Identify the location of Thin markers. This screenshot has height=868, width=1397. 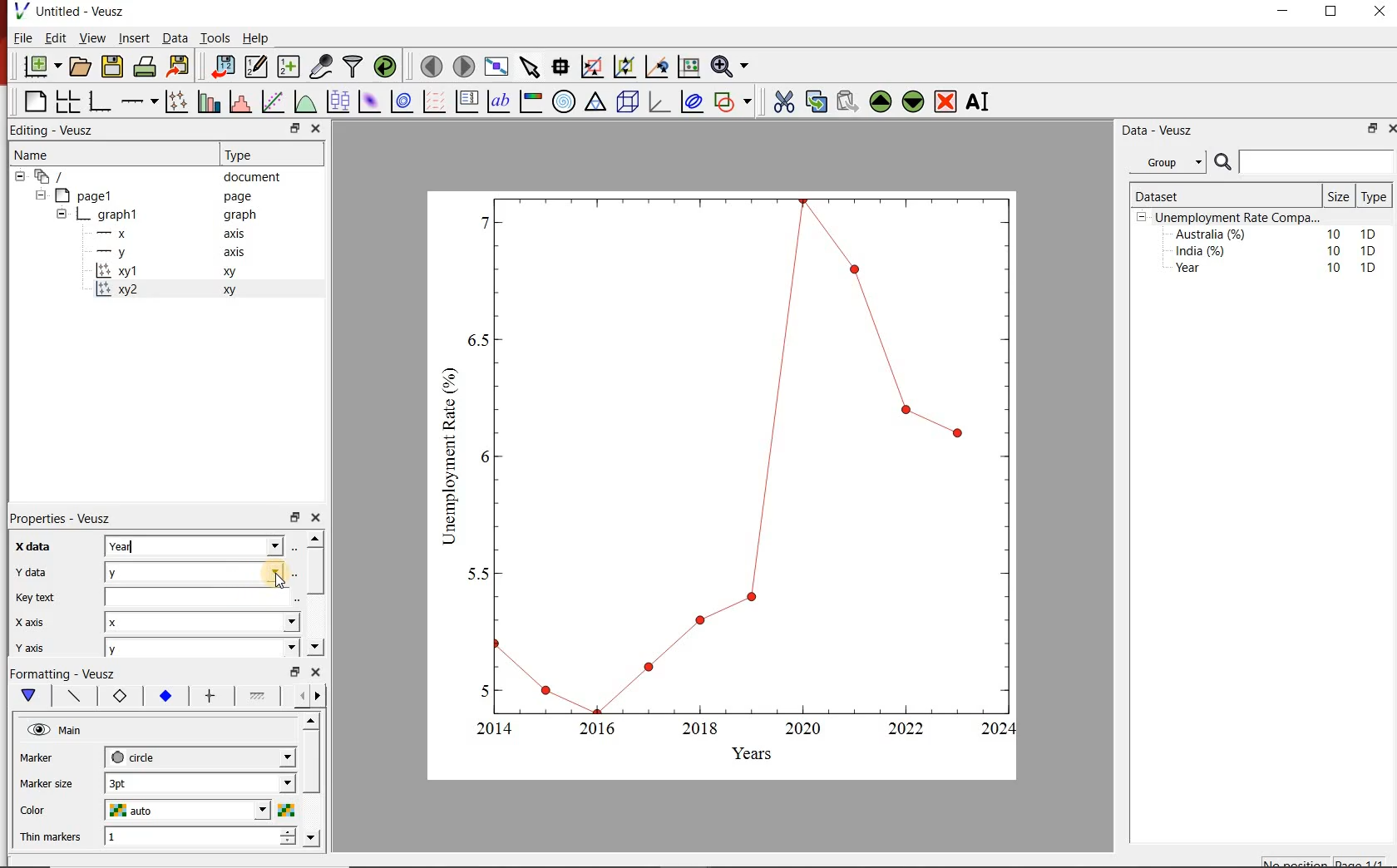
(52, 838).